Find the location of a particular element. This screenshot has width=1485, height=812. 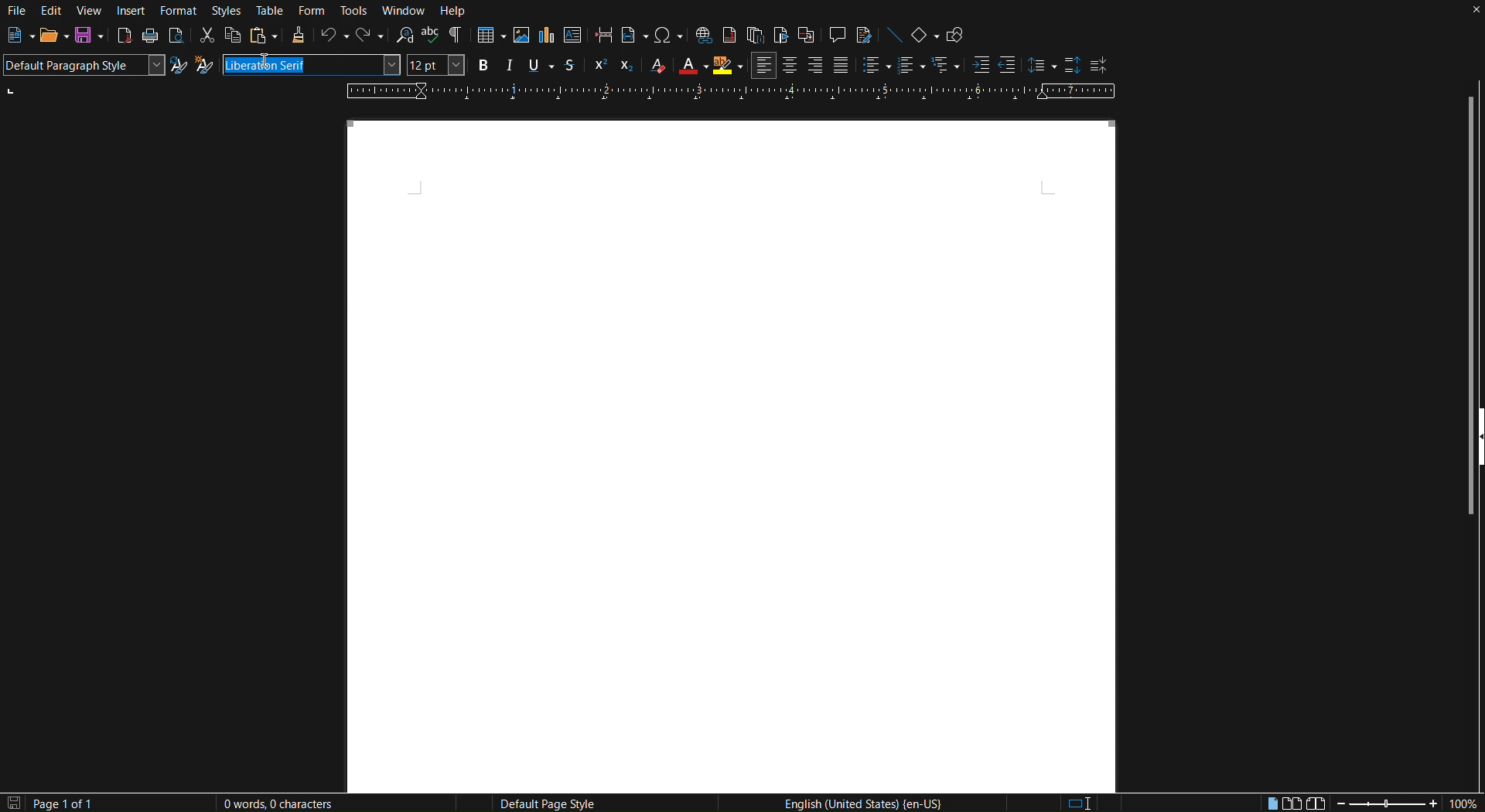

Default Paragraph Style is located at coordinates (80, 65).